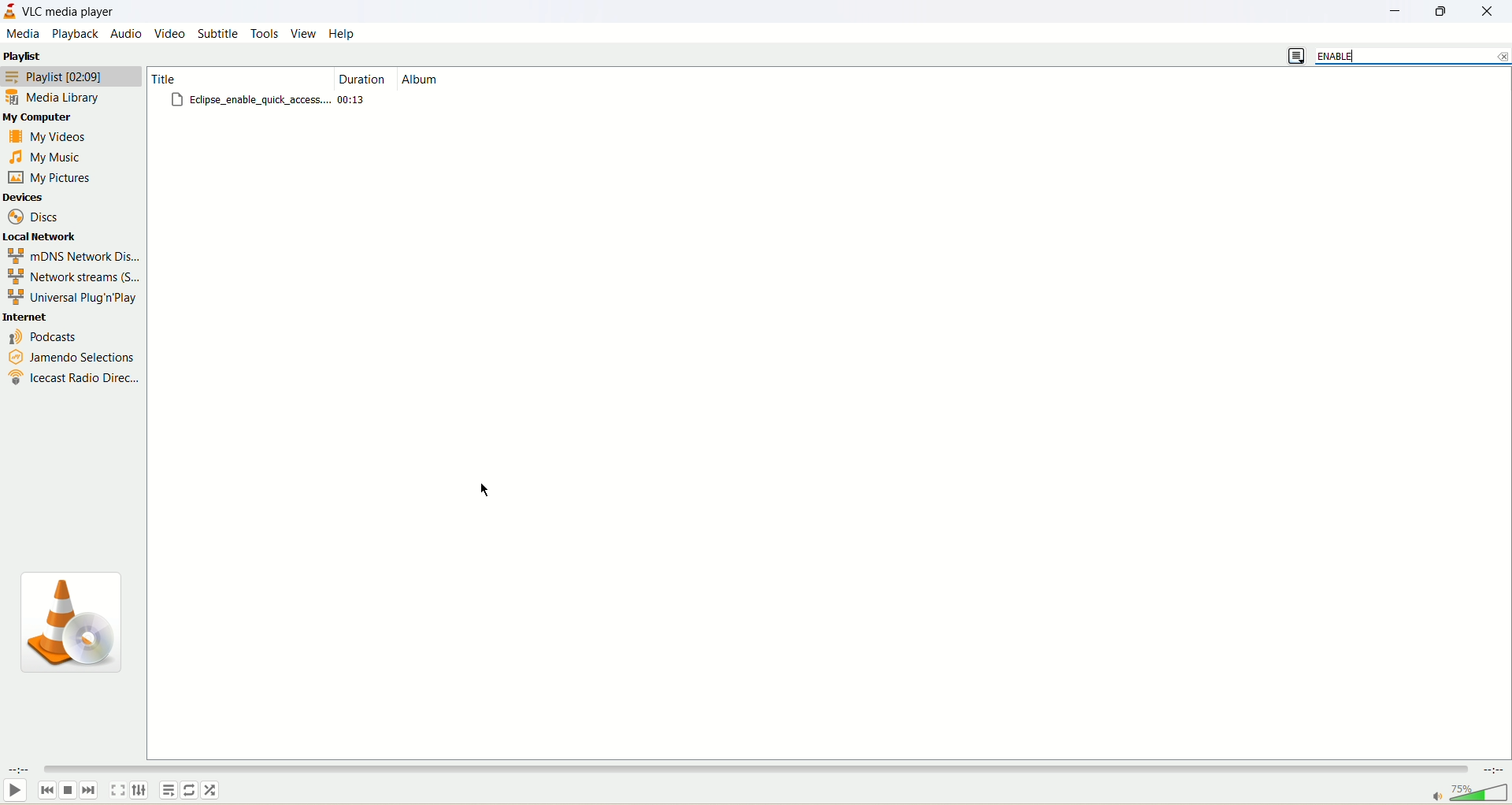 The image size is (1512, 805). Describe the element at coordinates (72, 255) in the screenshot. I see `mDNS newtork` at that location.